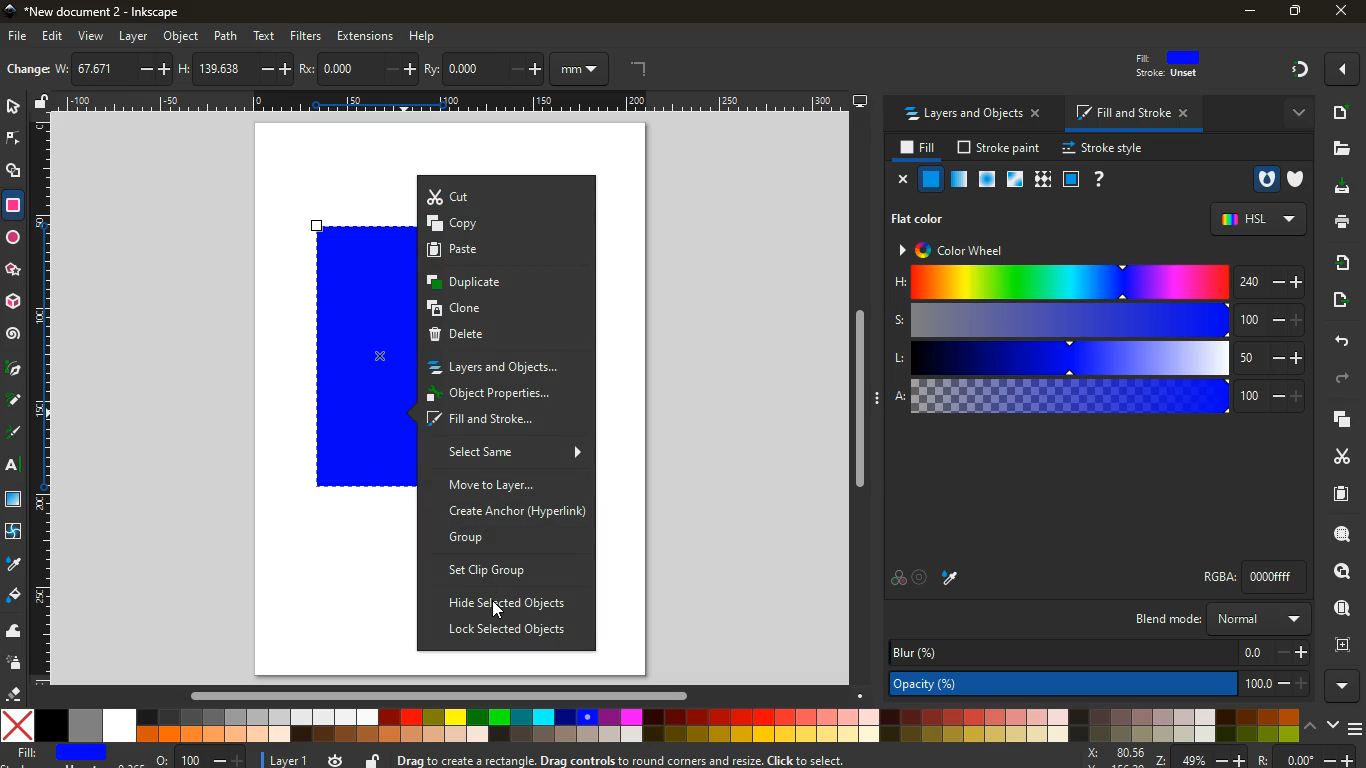  Describe the element at coordinates (1336, 301) in the screenshot. I see `send` at that location.